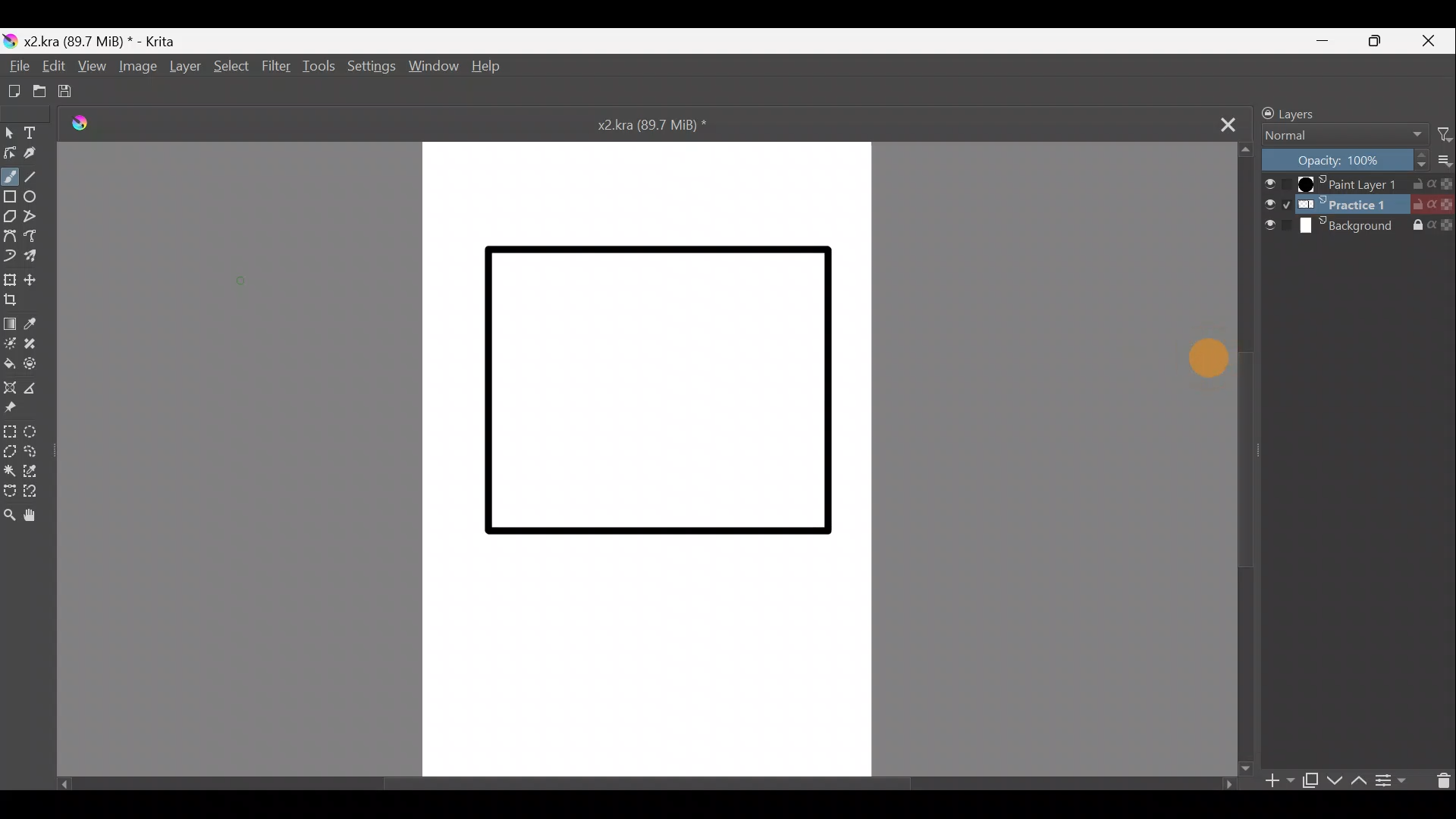 The image size is (1456, 819). What do you see at coordinates (656, 124) in the screenshot?
I see `x2.kra (89.7 MiB) *` at bounding box center [656, 124].